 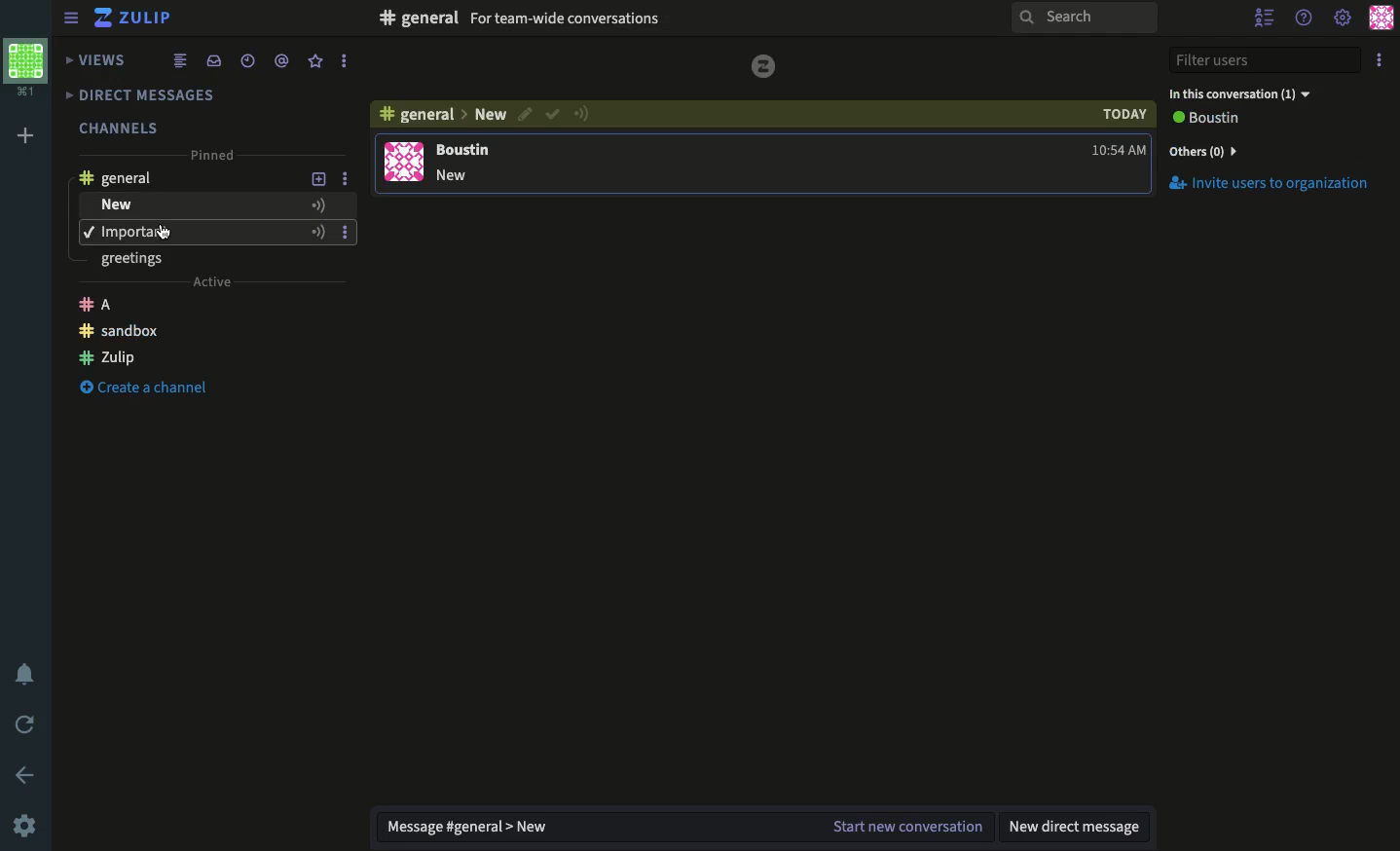 I want to click on Channels, so click(x=121, y=124).